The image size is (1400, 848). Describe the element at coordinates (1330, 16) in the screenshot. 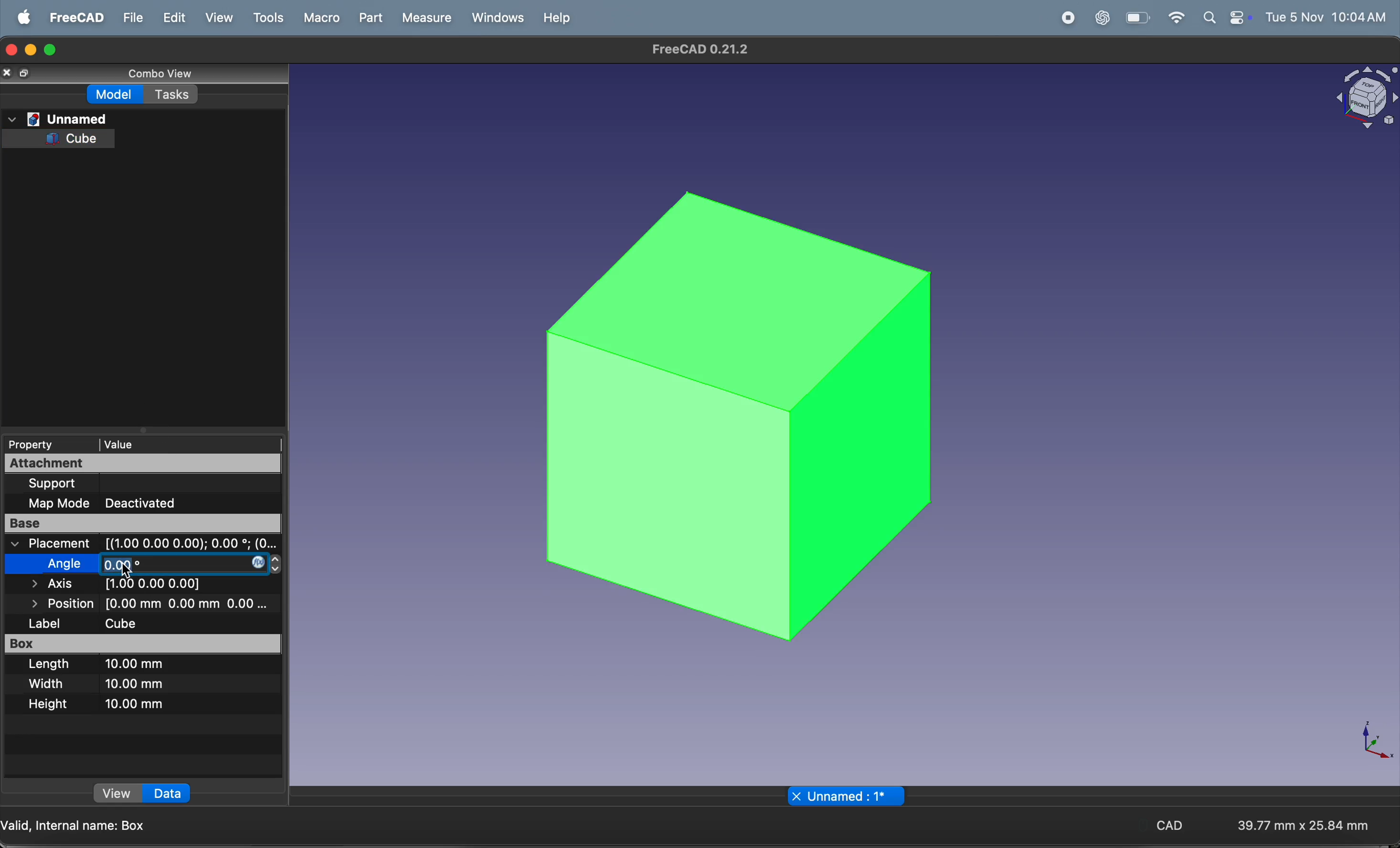

I see `time and date` at that location.